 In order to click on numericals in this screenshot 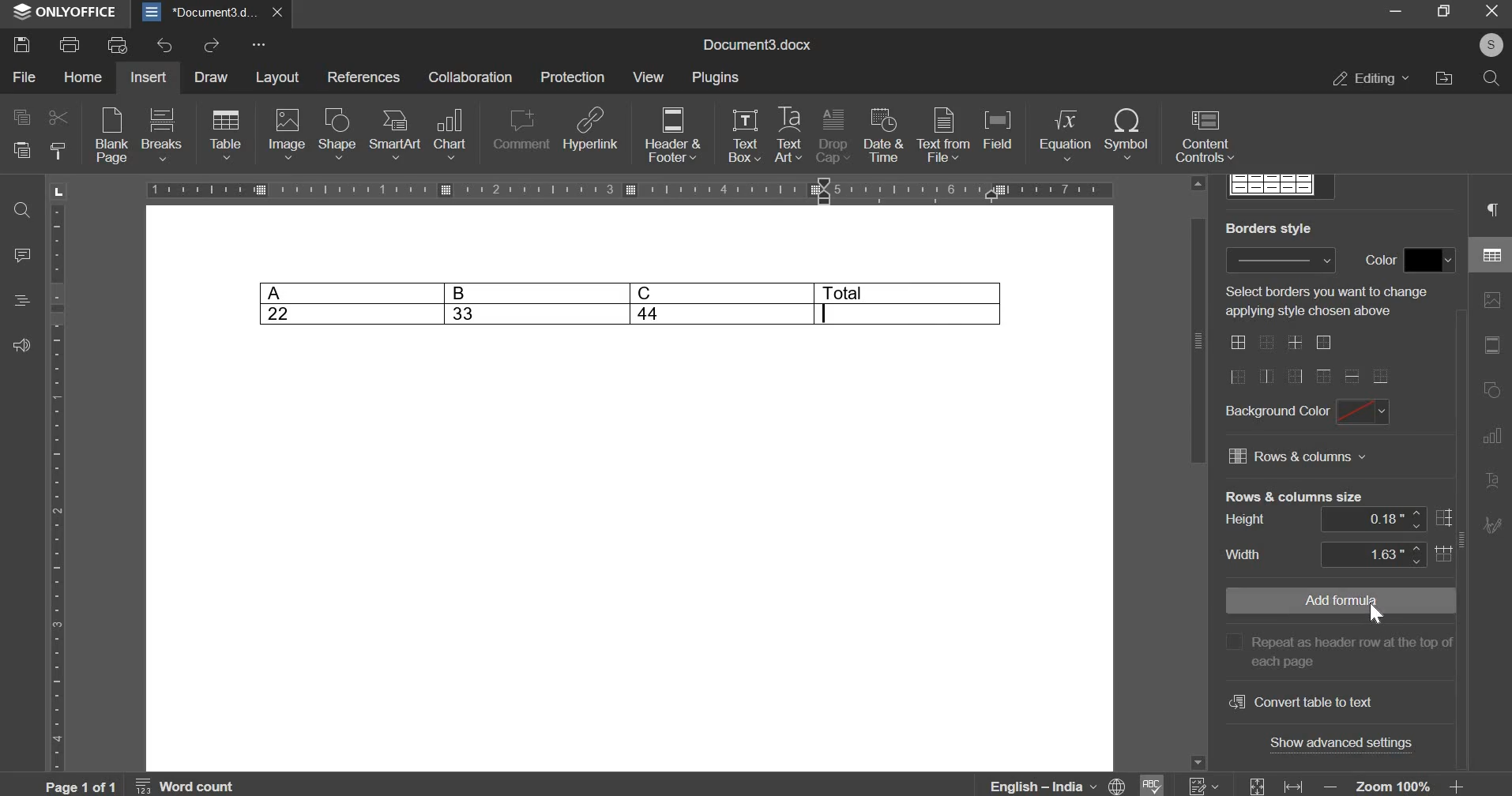, I will do `click(1203, 785)`.